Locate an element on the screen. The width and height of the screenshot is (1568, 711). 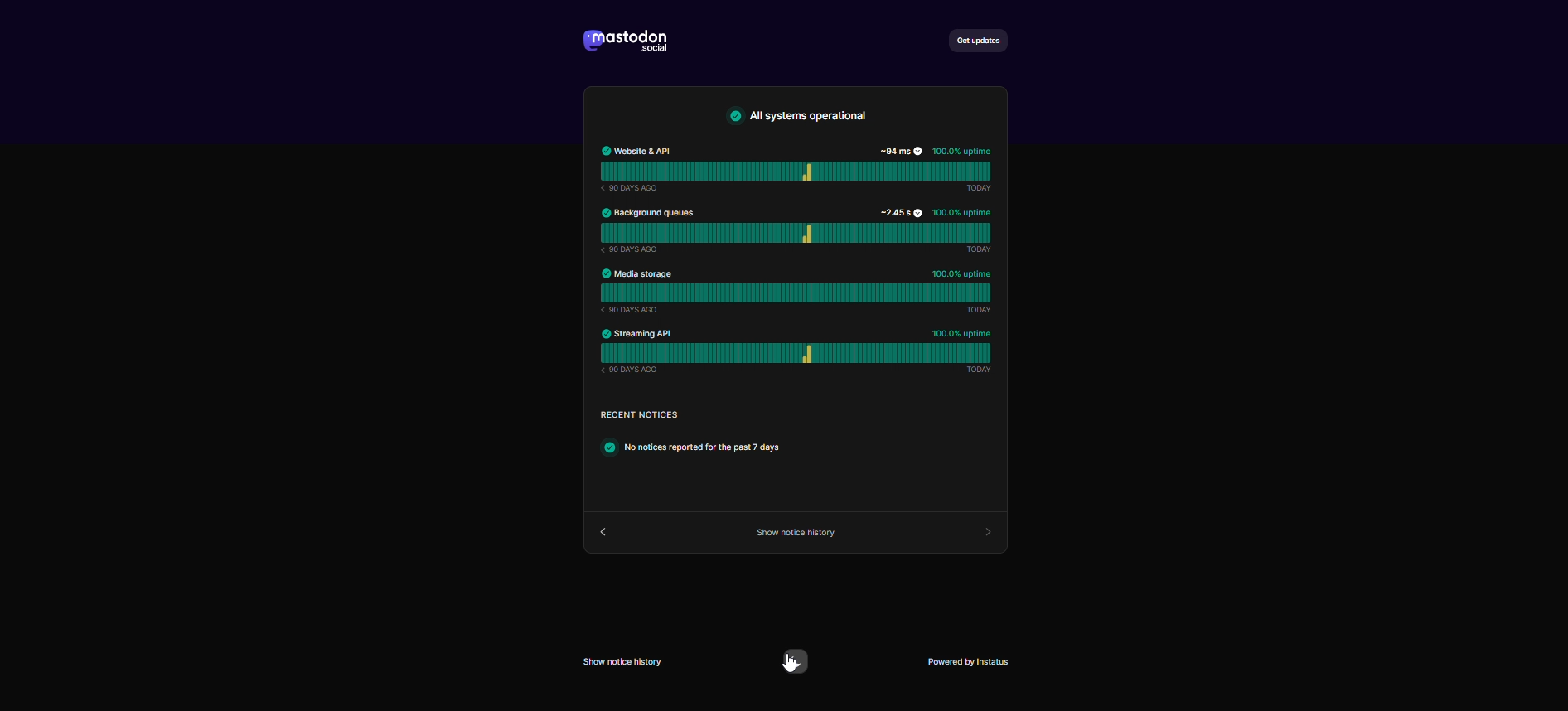
Show notice history is located at coordinates (625, 659).